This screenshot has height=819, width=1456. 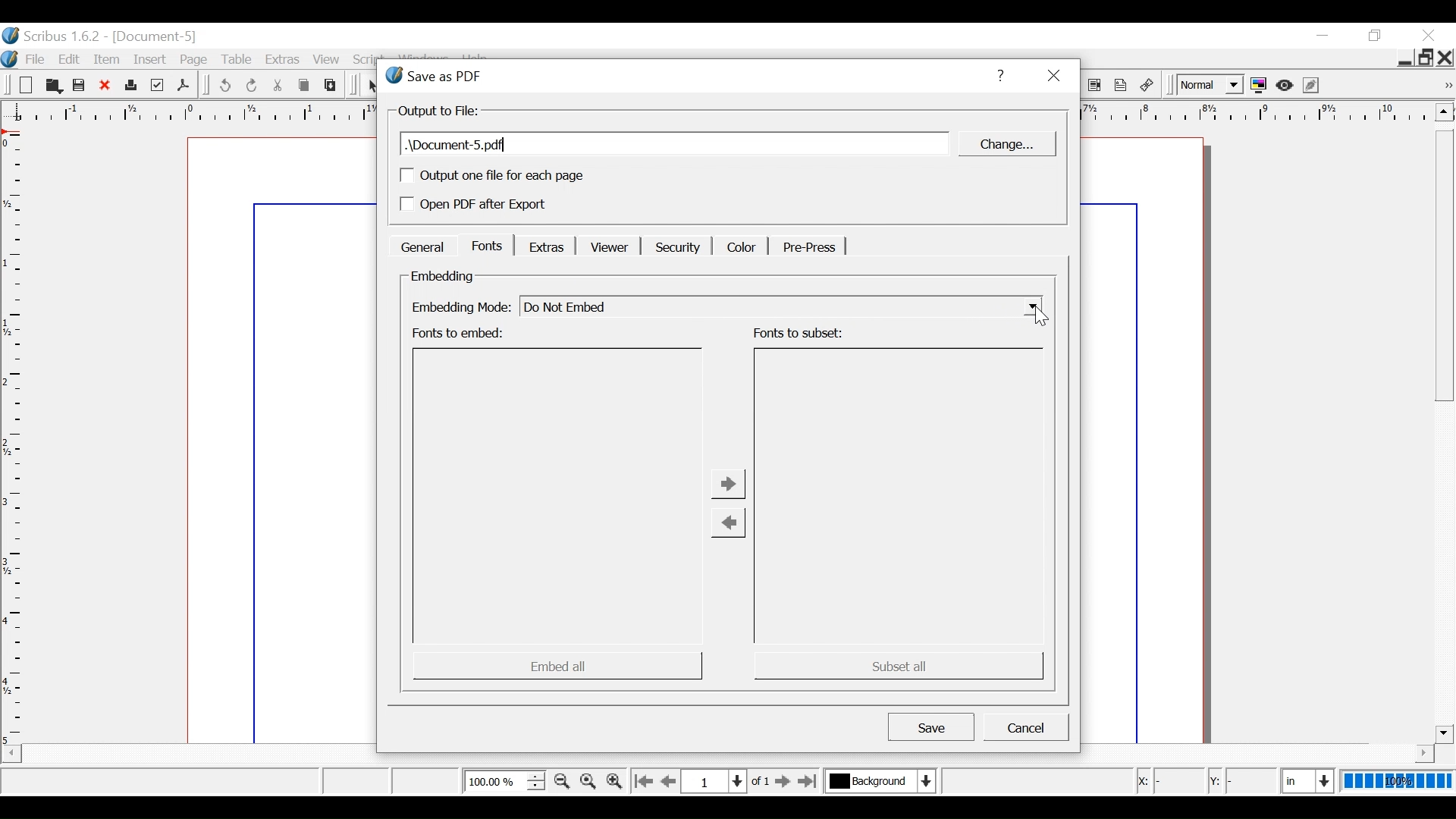 What do you see at coordinates (493, 206) in the screenshot?
I see `(un)select Open PDF after Export` at bounding box center [493, 206].